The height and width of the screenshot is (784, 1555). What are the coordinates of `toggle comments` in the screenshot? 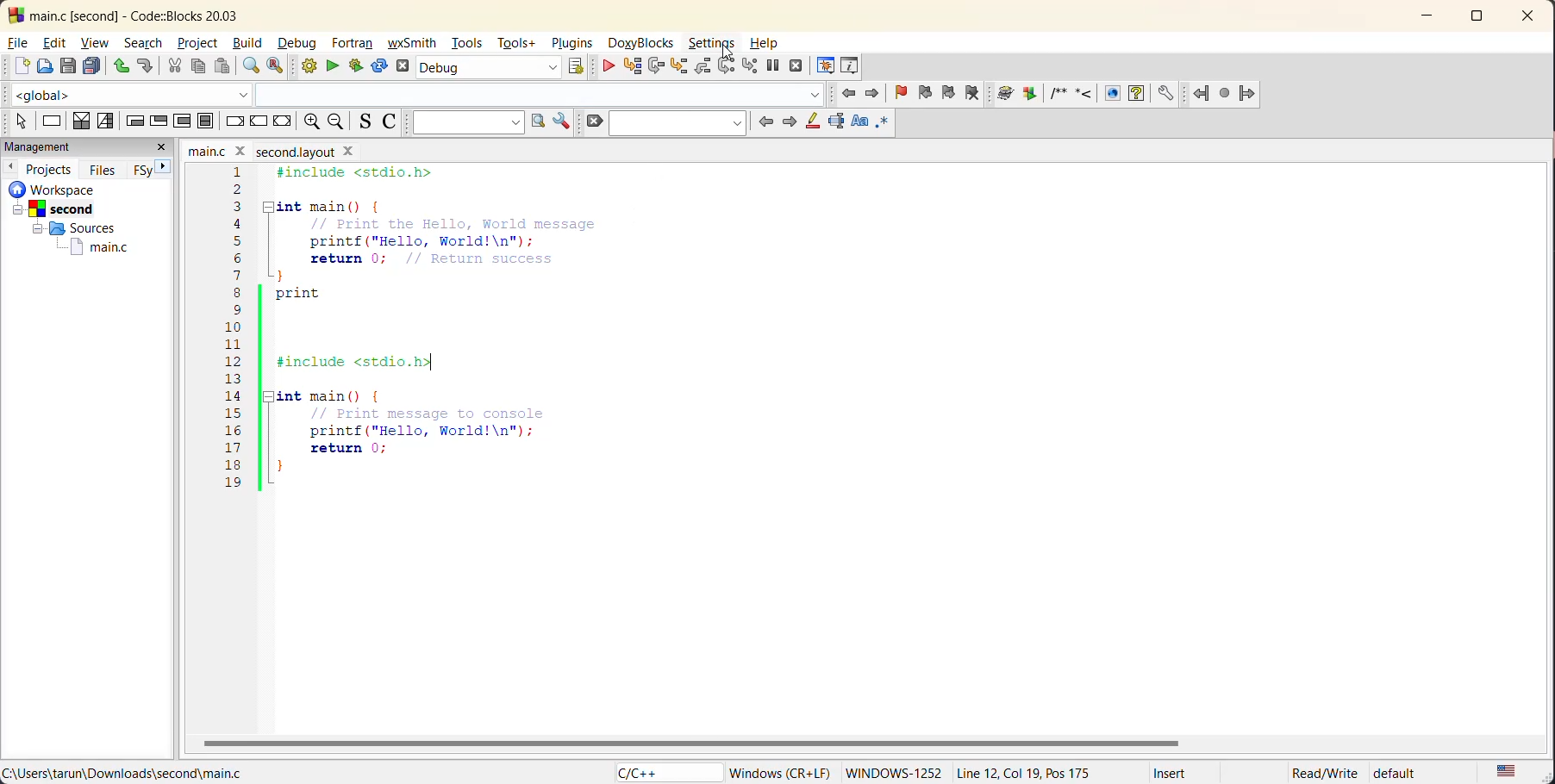 It's located at (392, 123).